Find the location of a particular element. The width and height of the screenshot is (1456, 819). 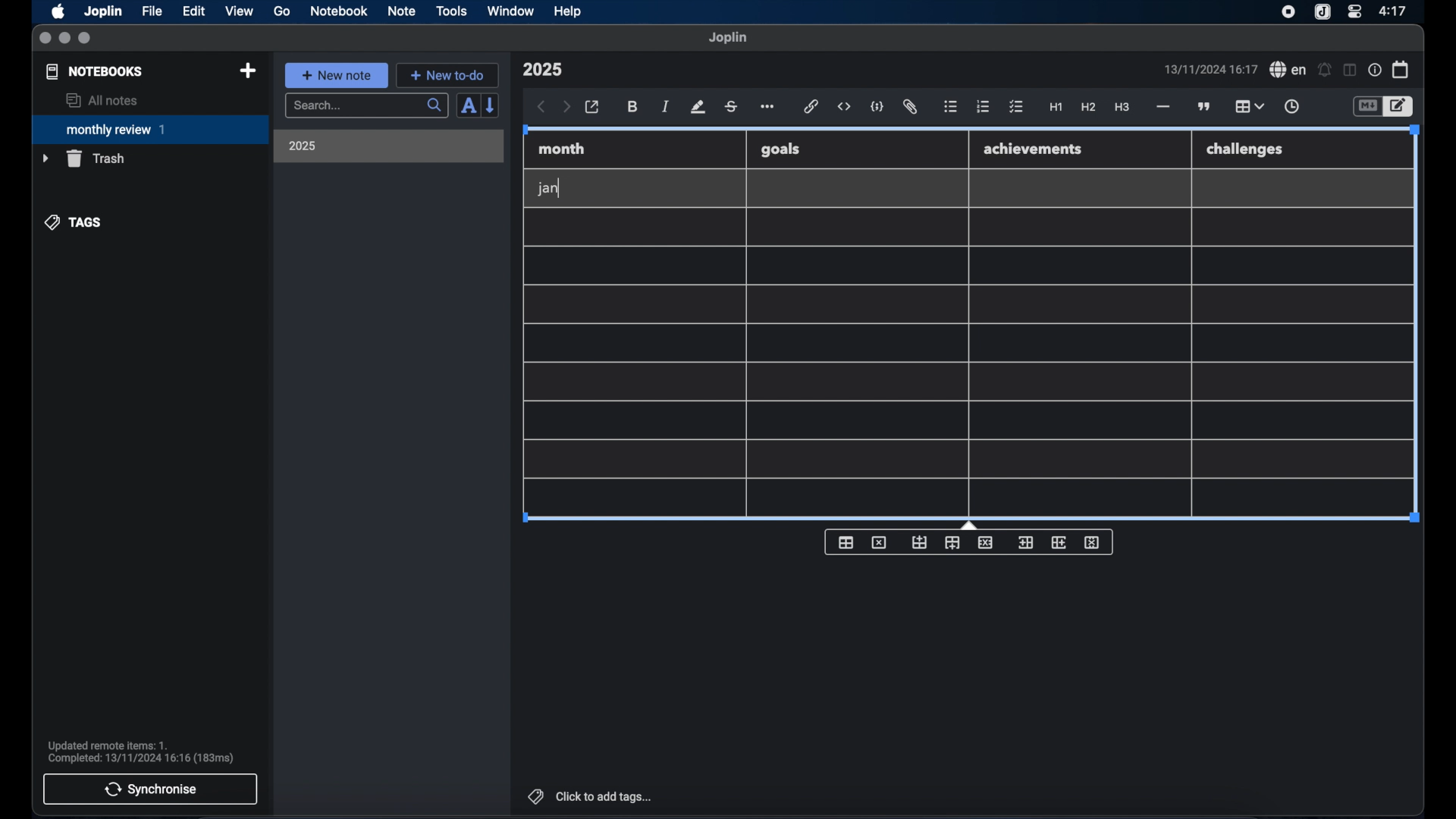

2025 is located at coordinates (303, 146).